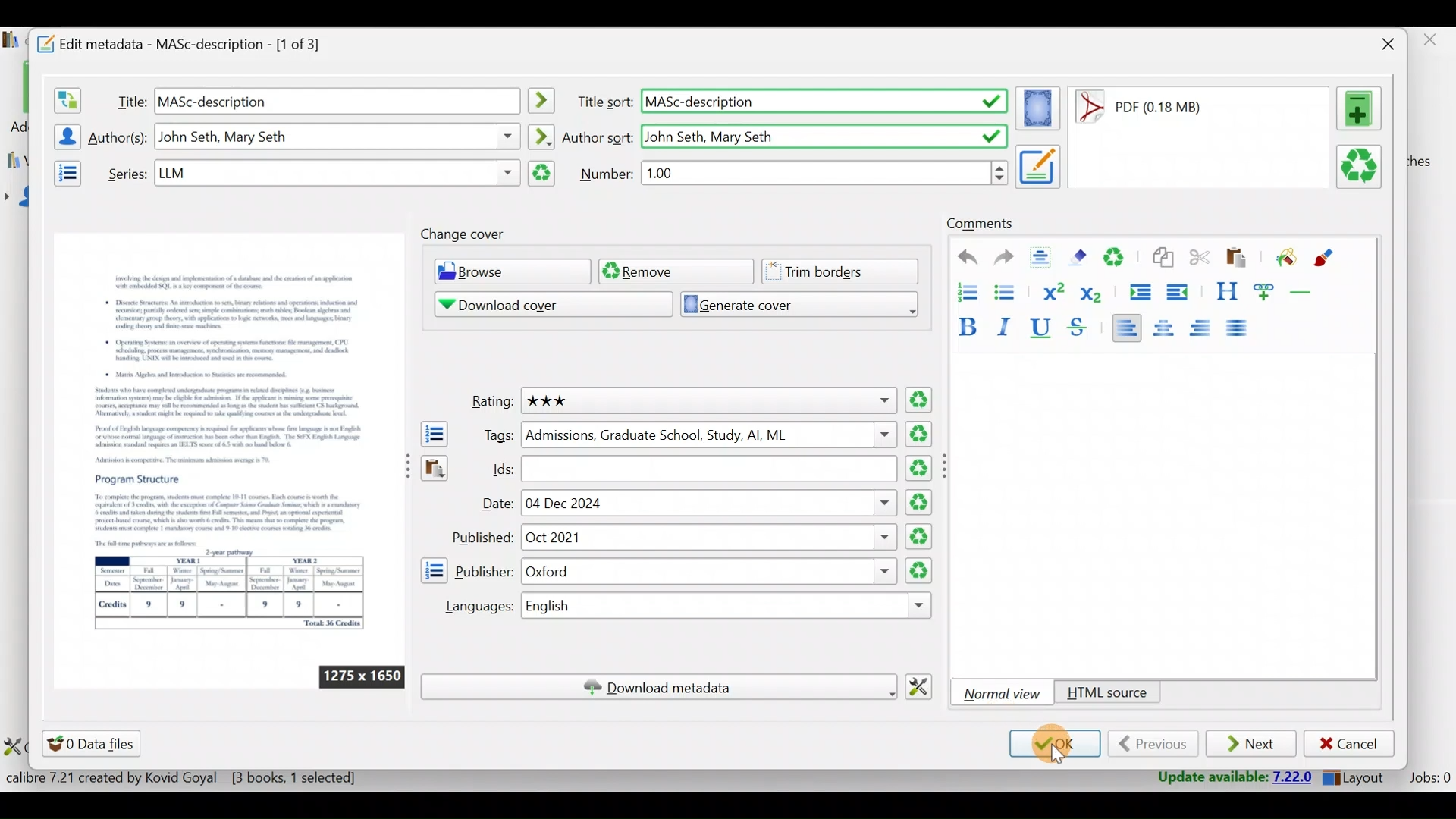  What do you see at coordinates (494, 435) in the screenshot?
I see `Tags` at bounding box center [494, 435].